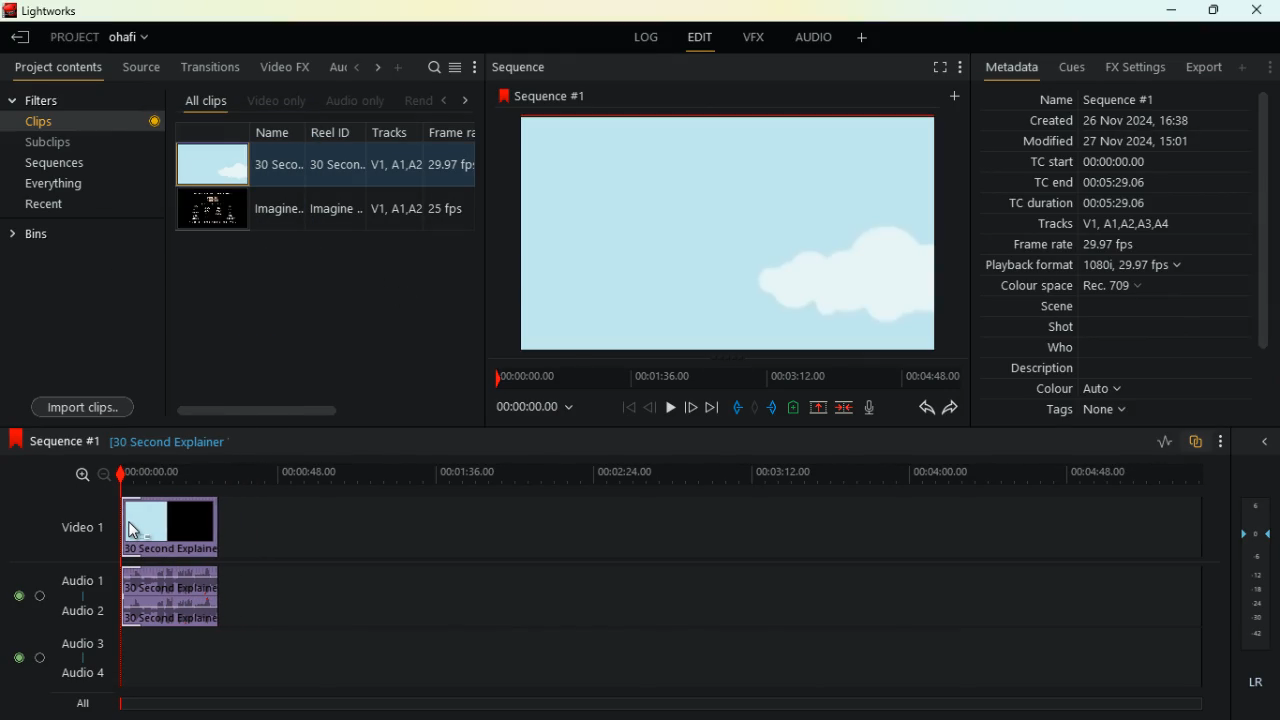  I want to click on leave, so click(21, 39).